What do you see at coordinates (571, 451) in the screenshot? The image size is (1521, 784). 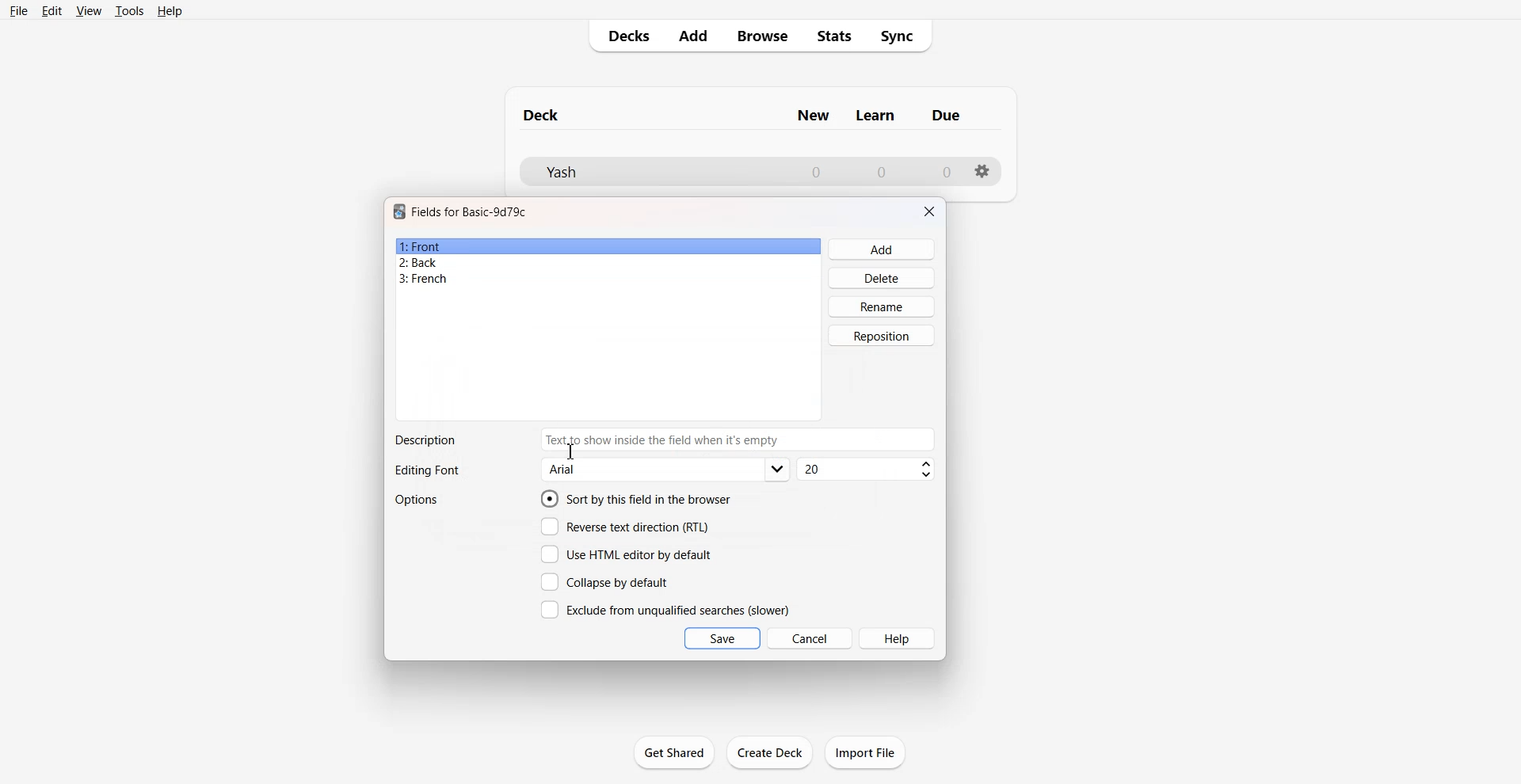 I see `Text Cursor` at bounding box center [571, 451].